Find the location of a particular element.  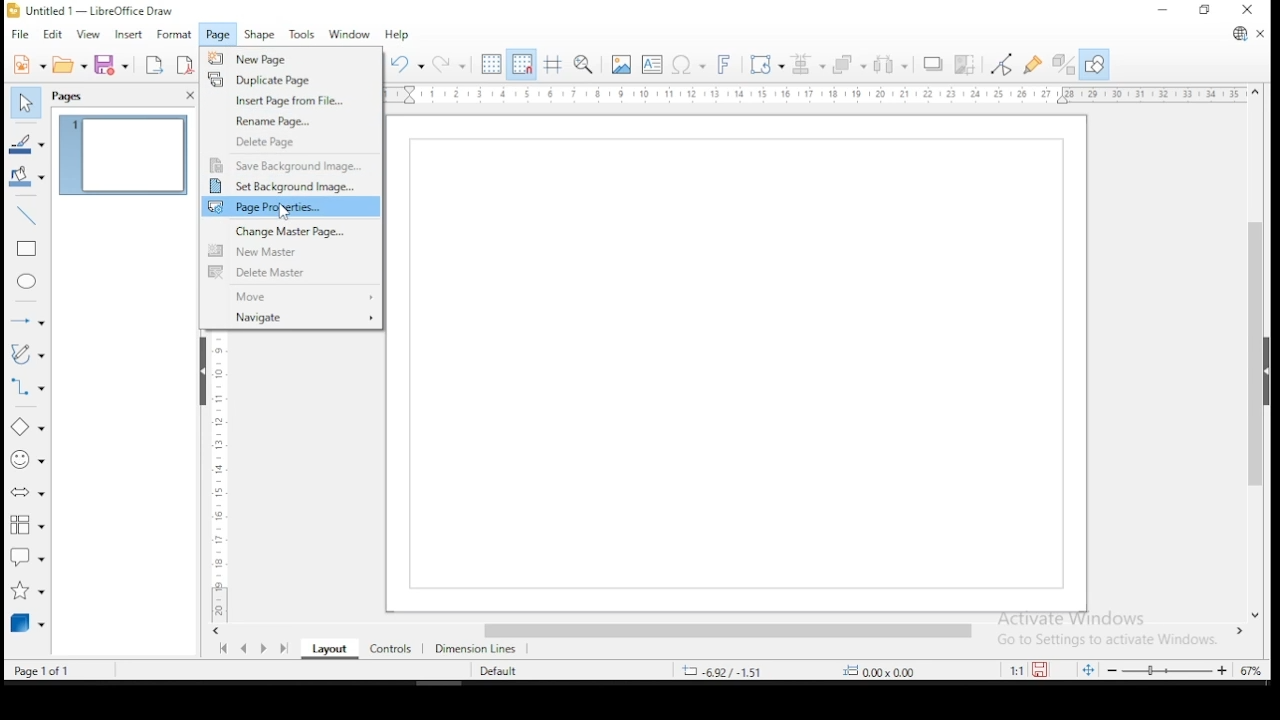

page 1 is located at coordinates (121, 156).